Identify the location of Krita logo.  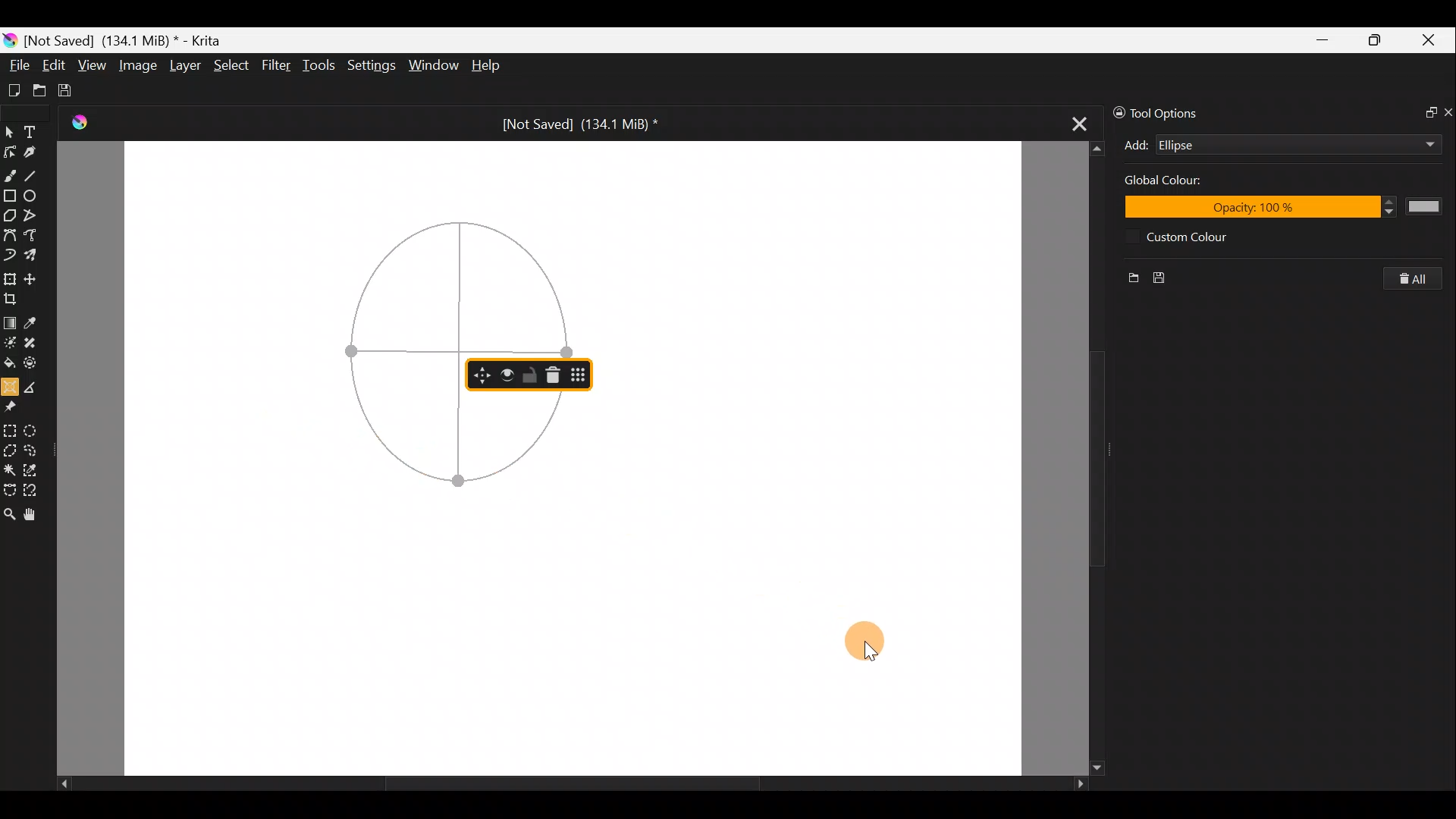
(9, 39).